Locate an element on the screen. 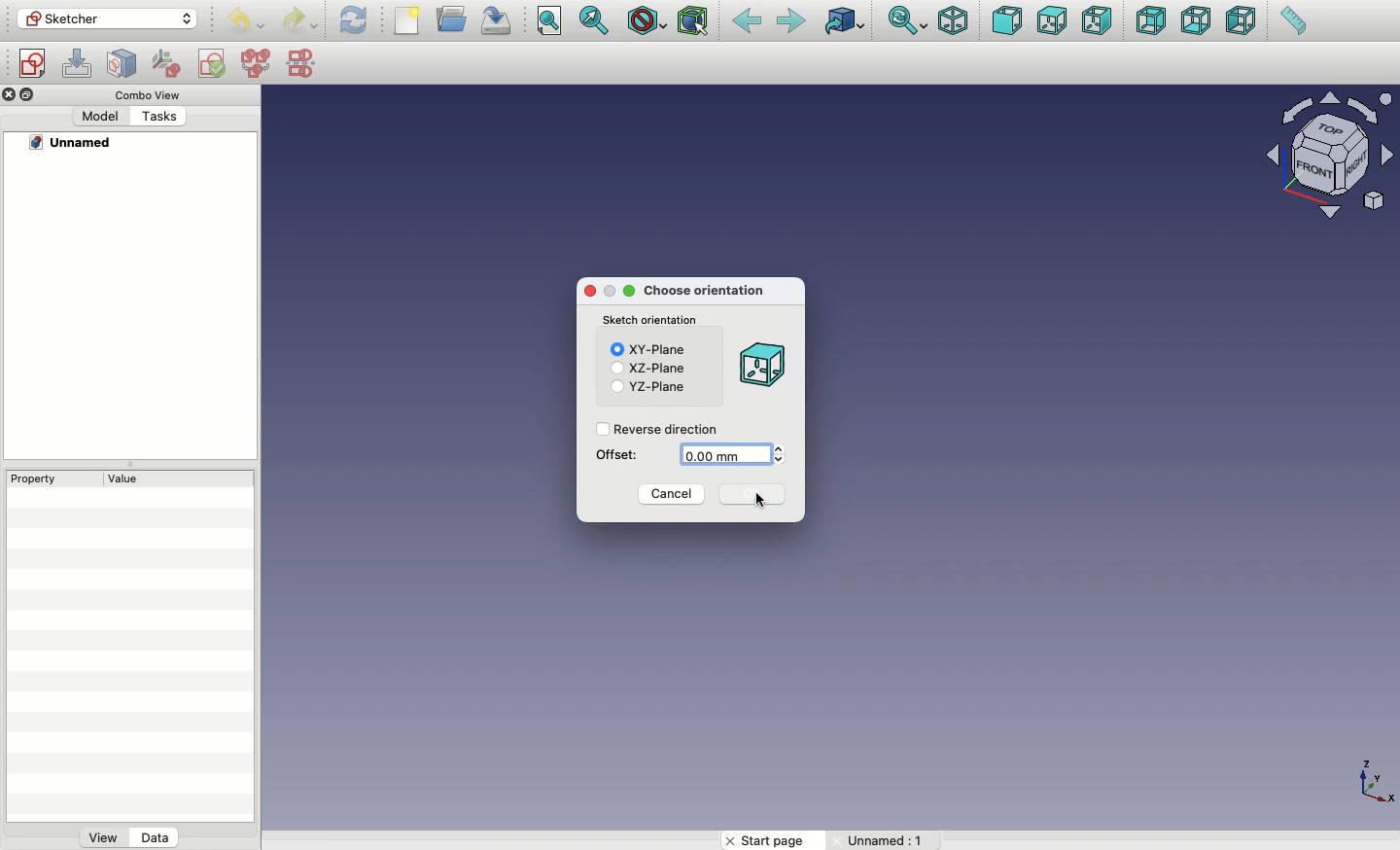 This screenshot has width=1400, height=850. Measure is located at coordinates (1291, 22).